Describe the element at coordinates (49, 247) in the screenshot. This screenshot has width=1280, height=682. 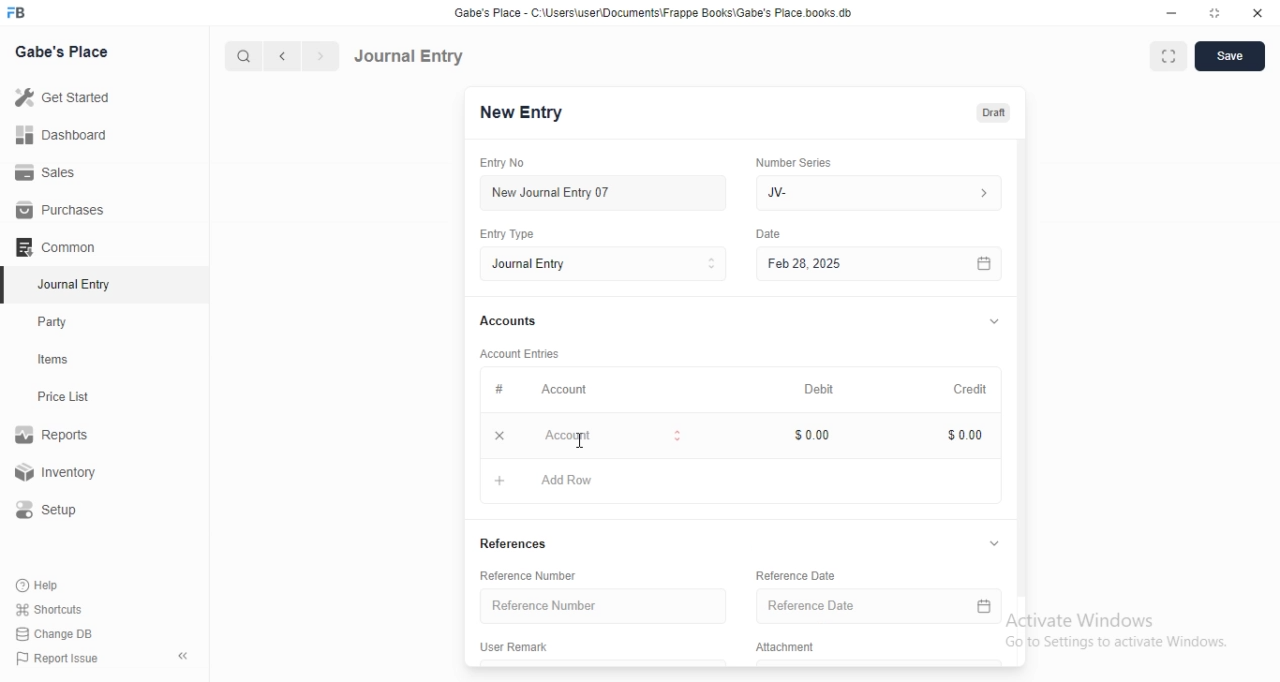
I see `Comman` at that location.